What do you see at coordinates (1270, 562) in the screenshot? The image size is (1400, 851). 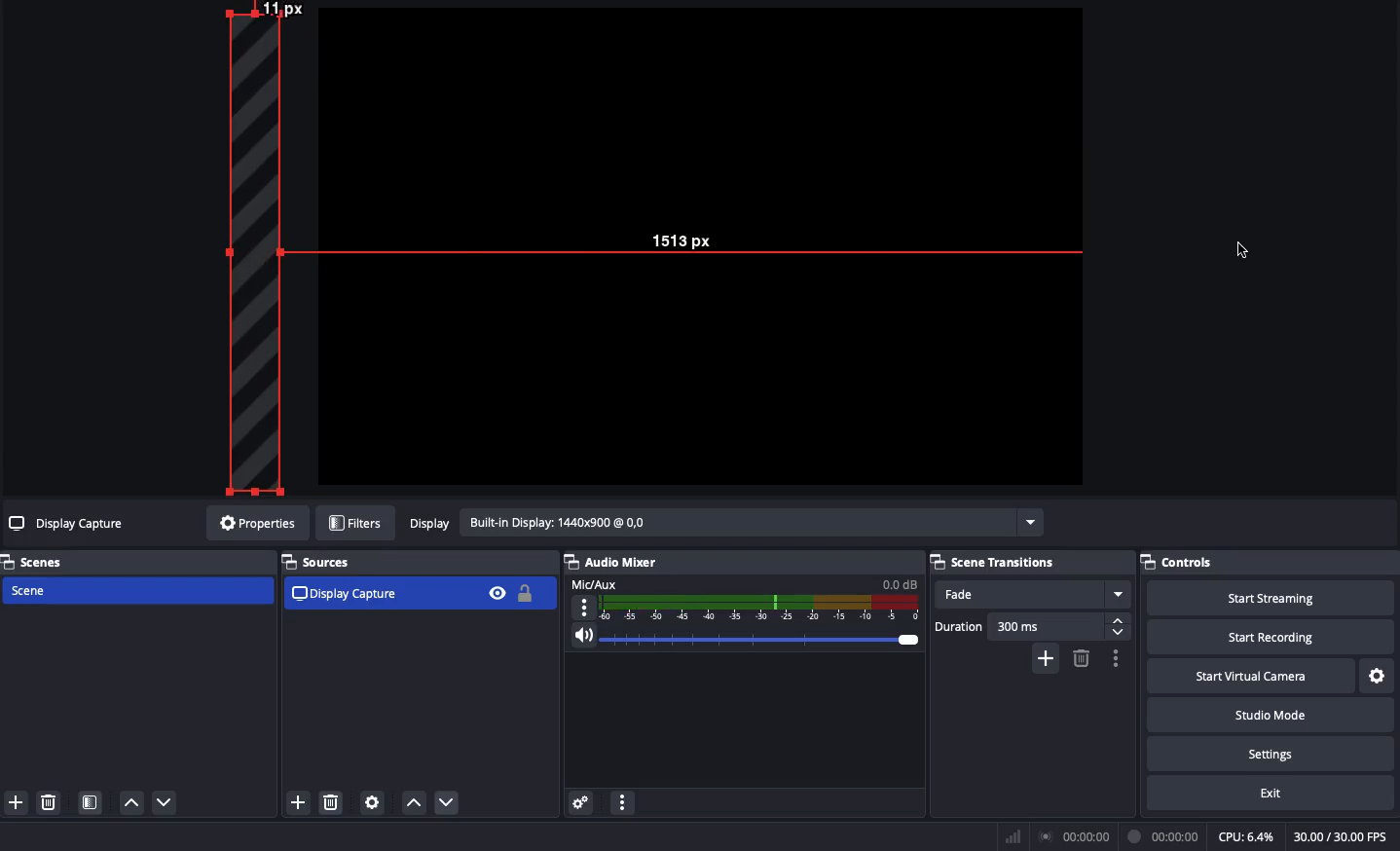 I see `Controls` at bounding box center [1270, 562].